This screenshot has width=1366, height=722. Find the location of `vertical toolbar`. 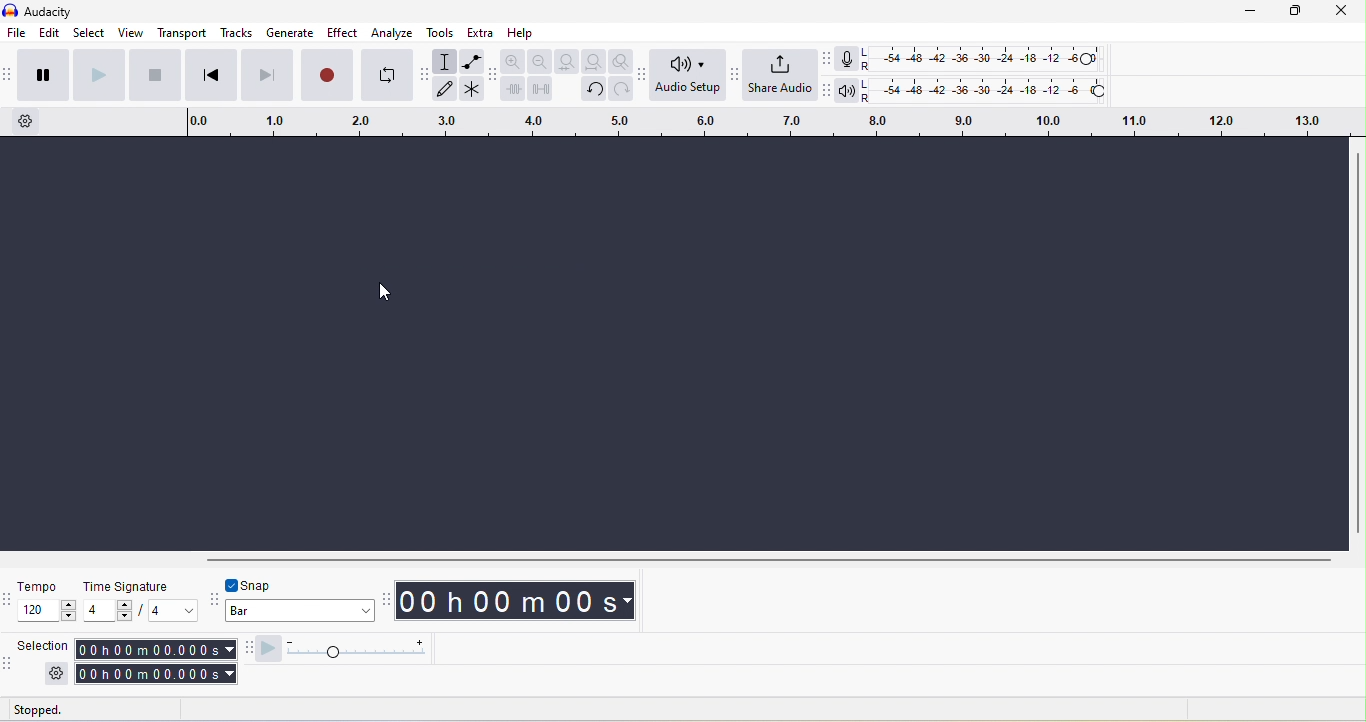

vertical toolbar is located at coordinates (1358, 343).